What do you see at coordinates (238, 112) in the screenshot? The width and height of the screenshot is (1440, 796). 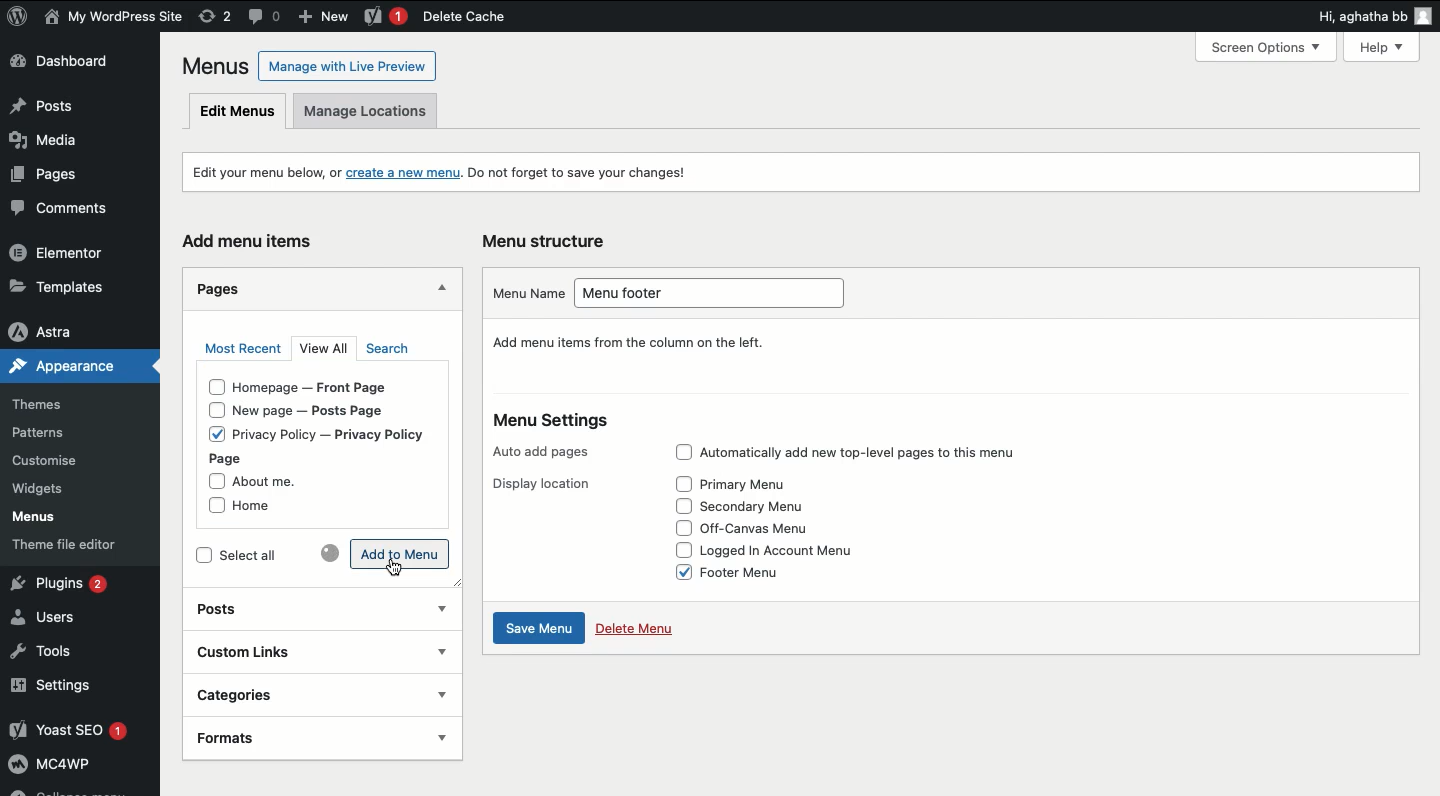 I see `Edit menus` at bounding box center [238, 112].